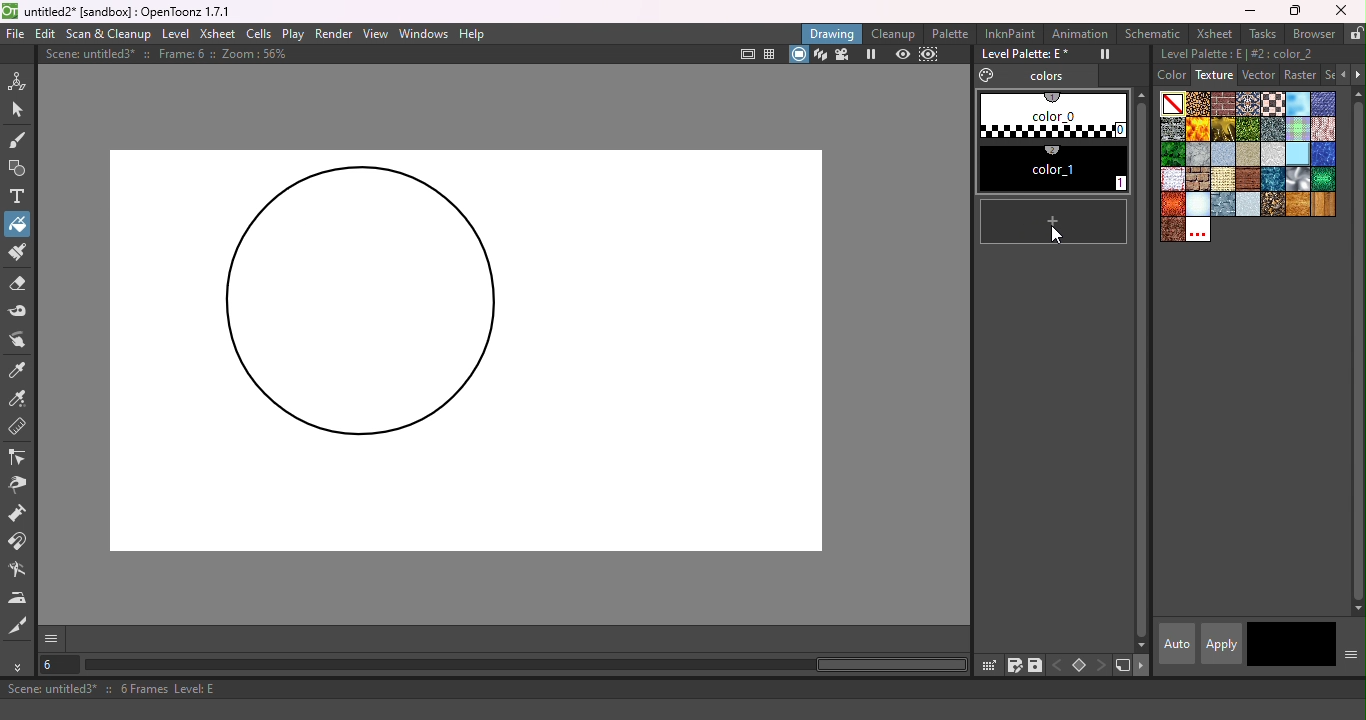 This screenshot has height=720, width=1366. What do you see at coordinates (683, 691) in the screenshot?
I see `Scene: untitled3* :: 6 Frames Level: E` at bounding box center [683, 691].